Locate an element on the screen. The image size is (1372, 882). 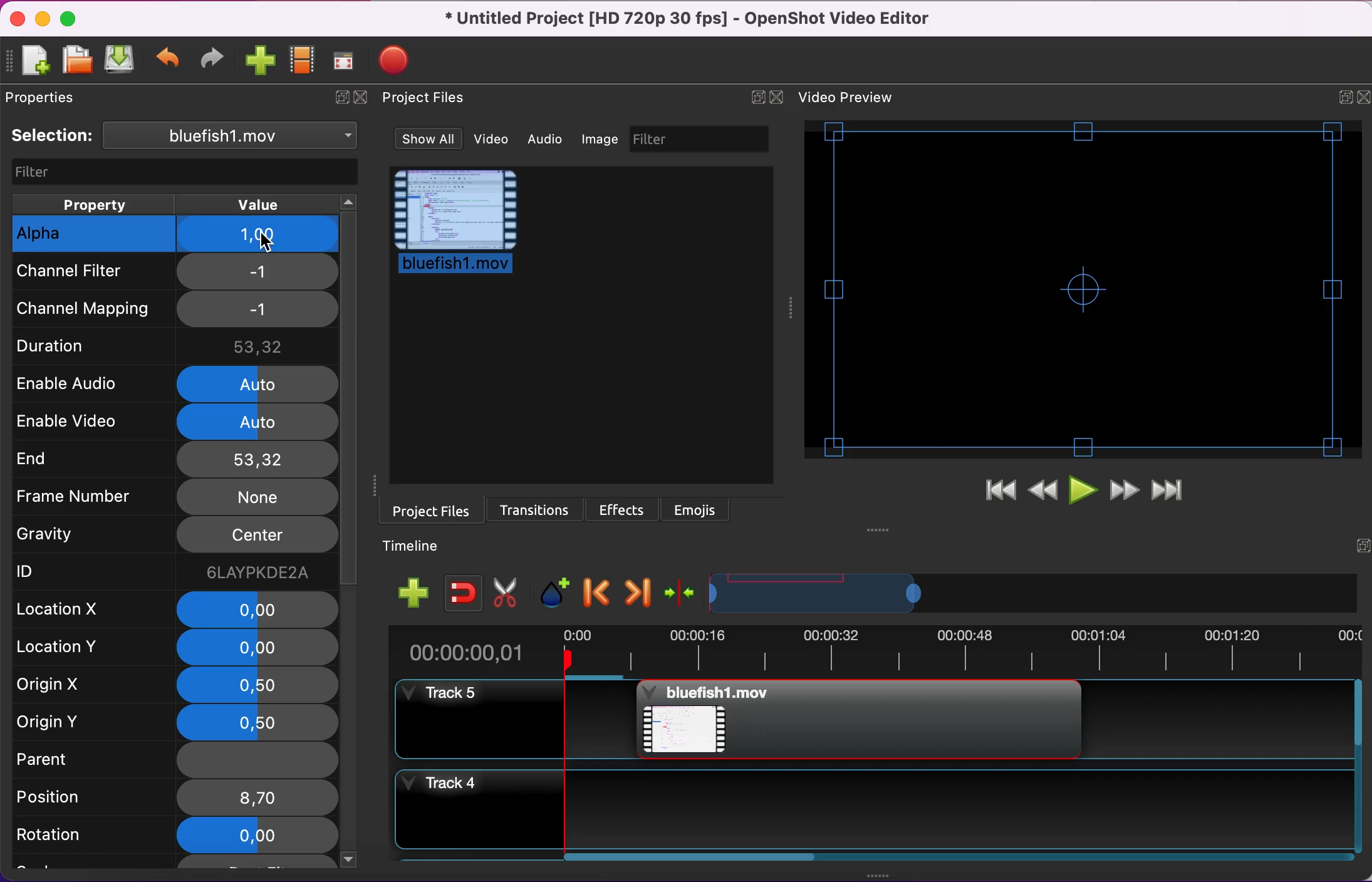
timeline is located at coordinates (816, 596).